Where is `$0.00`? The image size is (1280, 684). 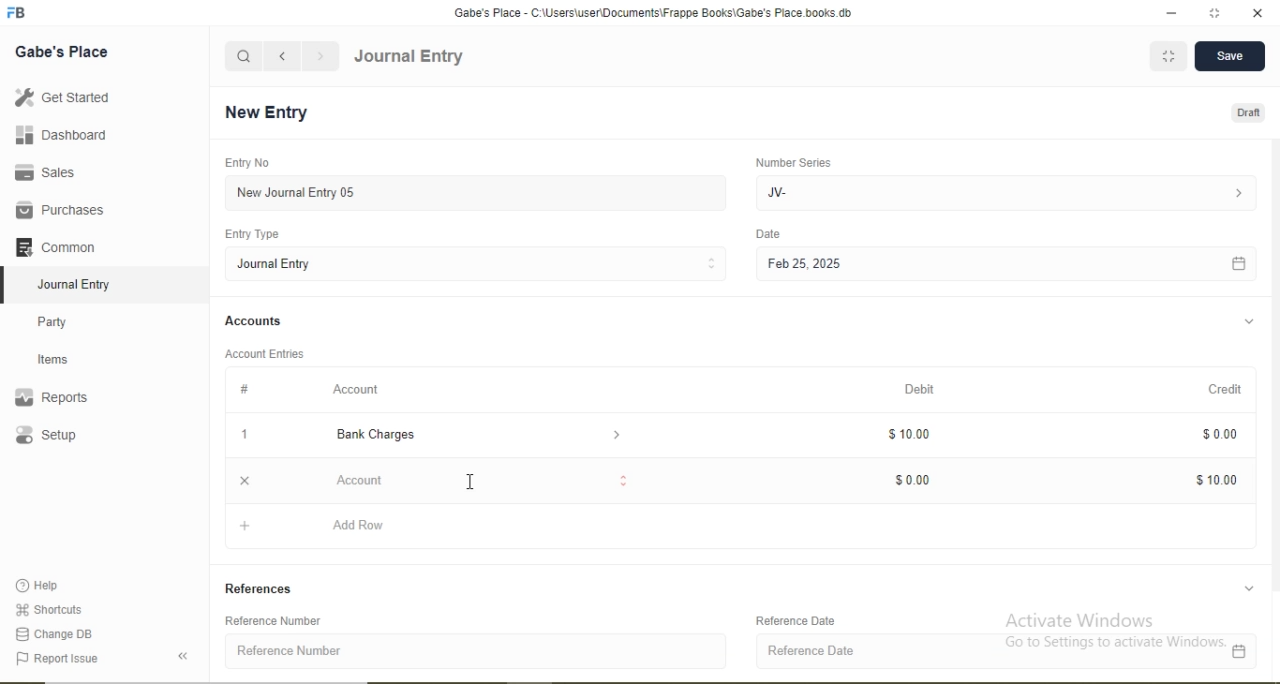
$0.00 is located at coordinates (1217, 434).